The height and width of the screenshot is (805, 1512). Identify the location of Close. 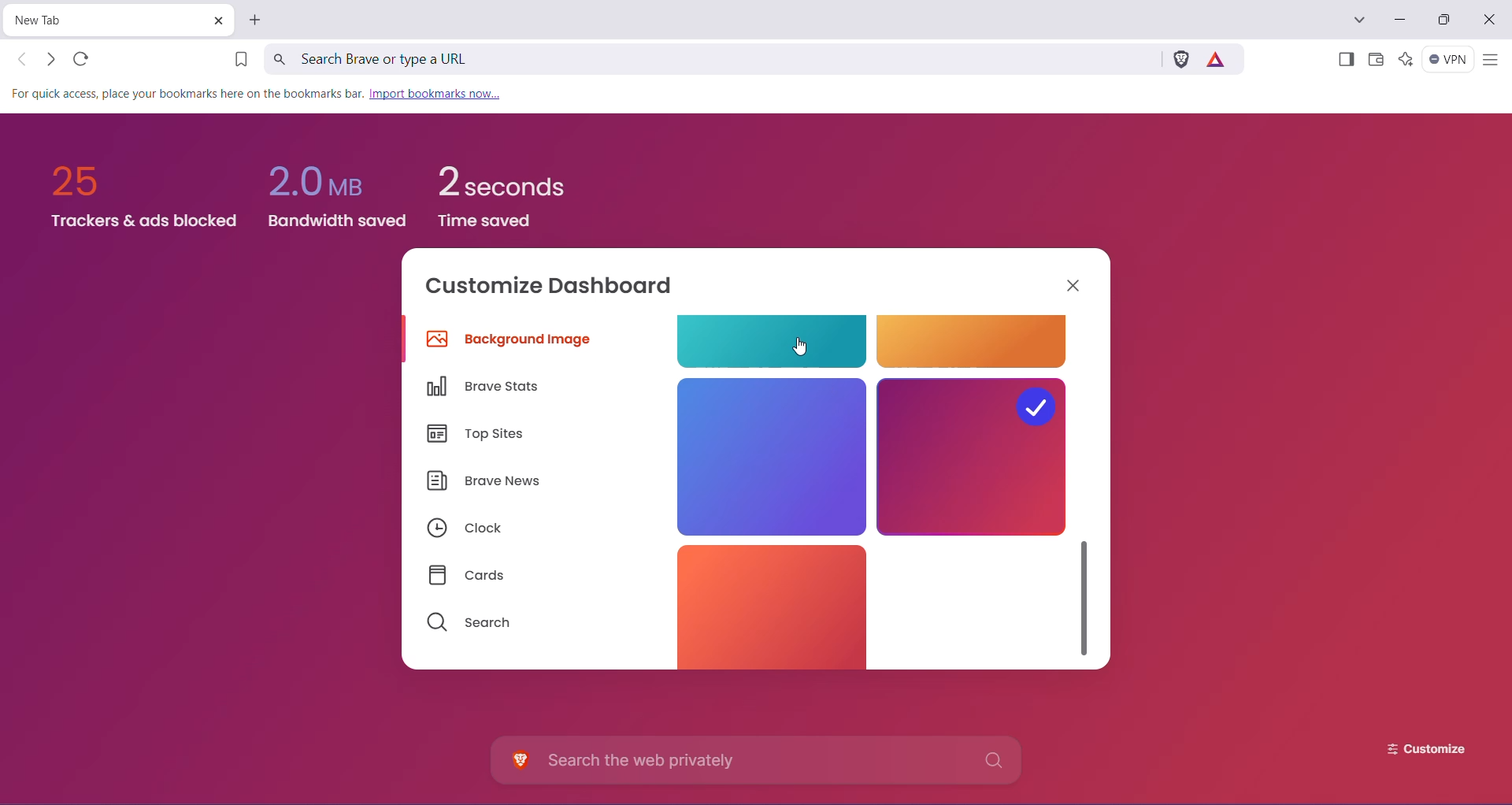
(1075, 284).